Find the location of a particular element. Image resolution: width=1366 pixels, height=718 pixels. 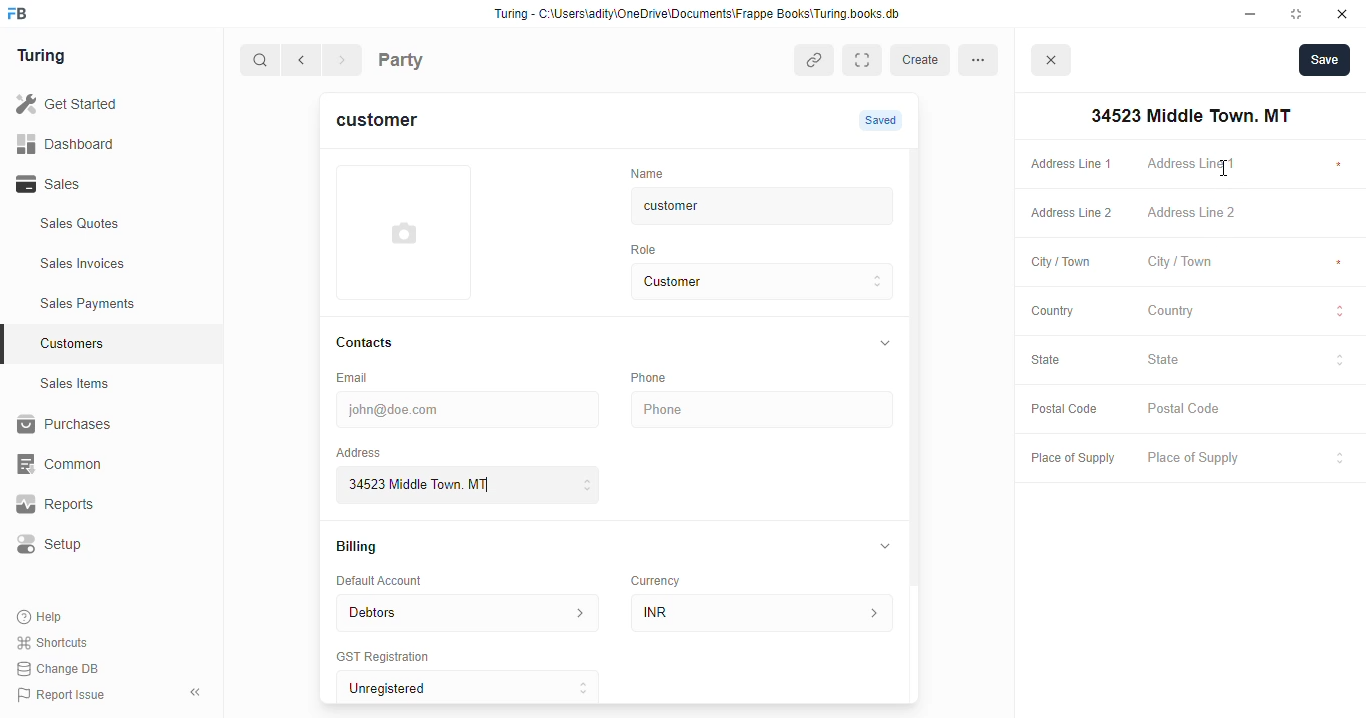

Billing is located at coordinates (366, 548).